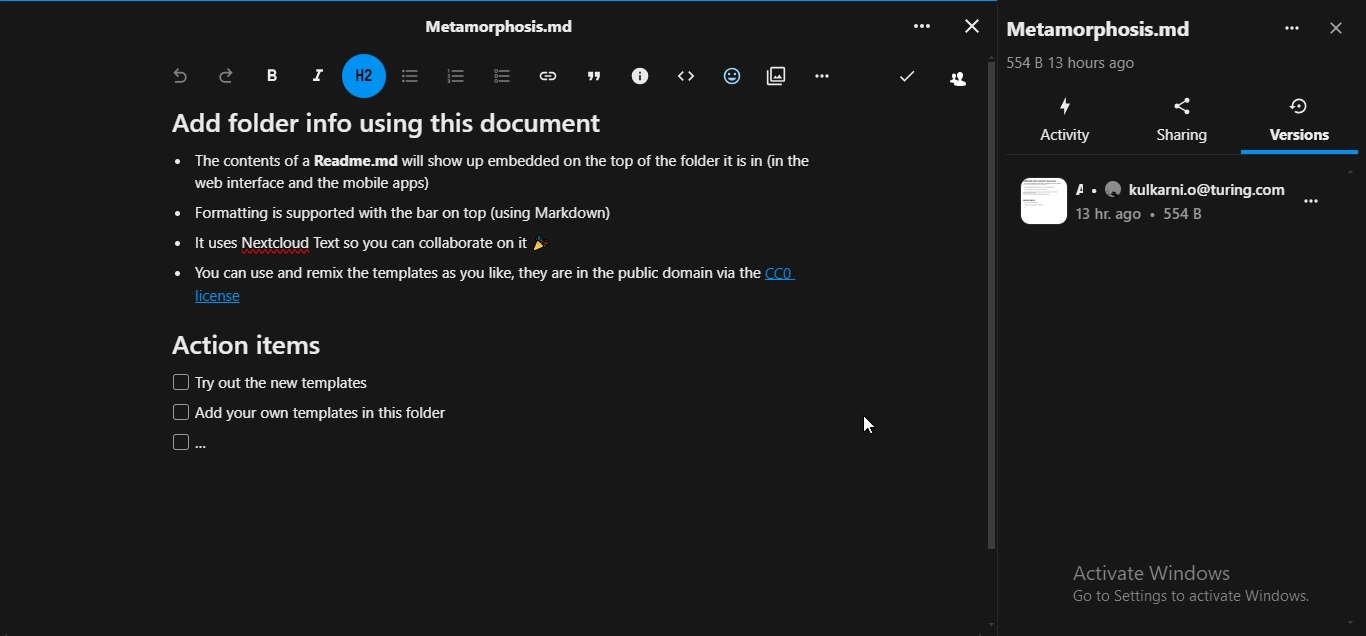 The height and width of the screenshot is (636, 1366). What do you see at coordinates (970, 24) in the screenshot?
I see `close` at bounding box center [970, 24].